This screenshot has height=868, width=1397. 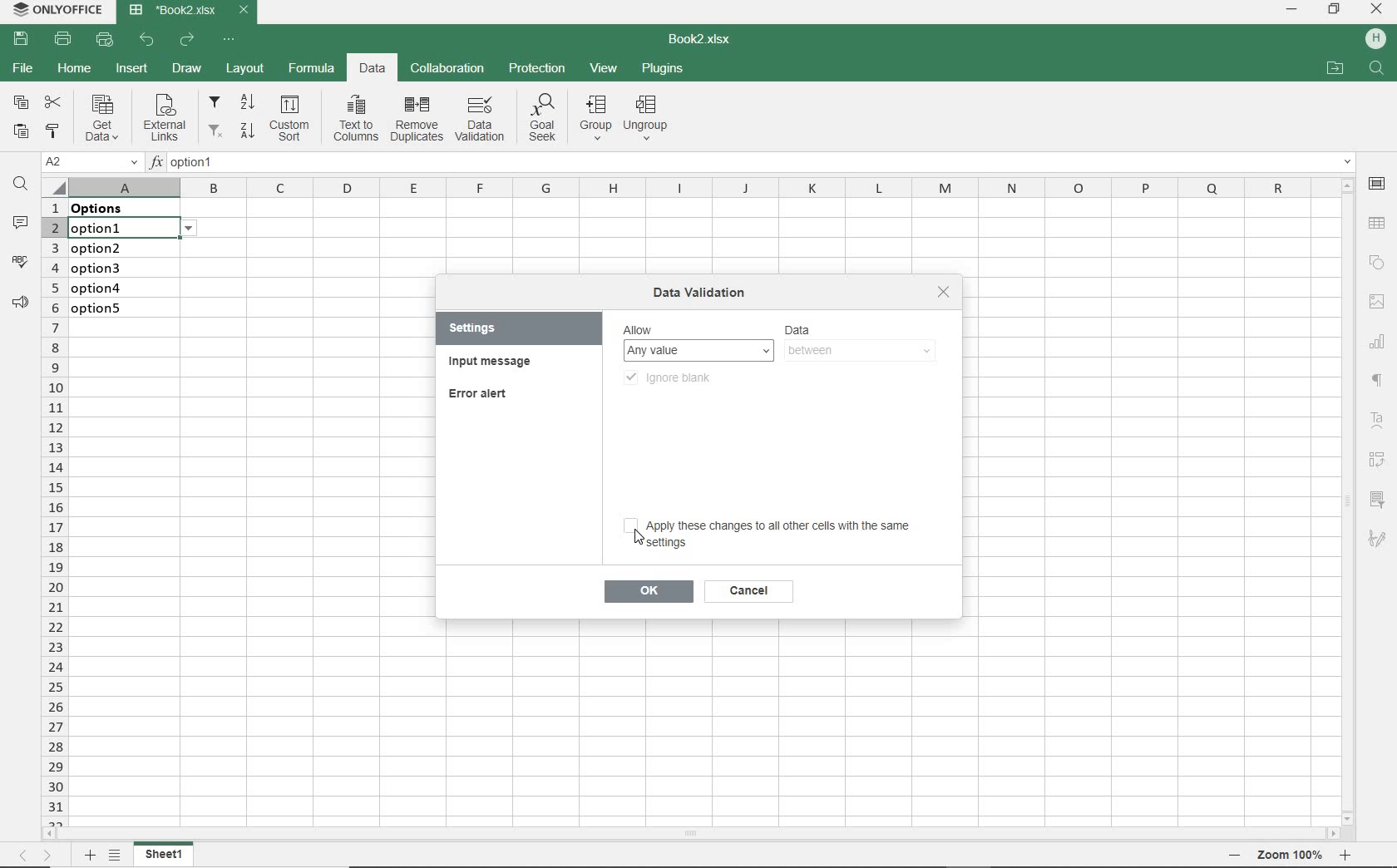 I want to click on TABLE, so click(x=1376, y=224).